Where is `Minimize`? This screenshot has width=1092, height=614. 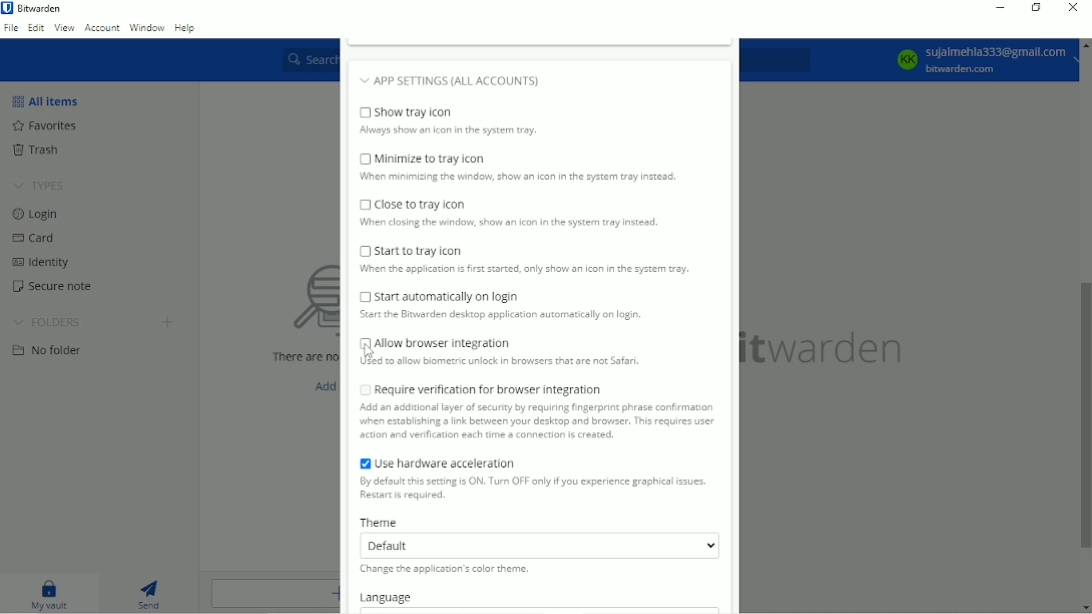 Minimize is located at coordinates (999, 7).